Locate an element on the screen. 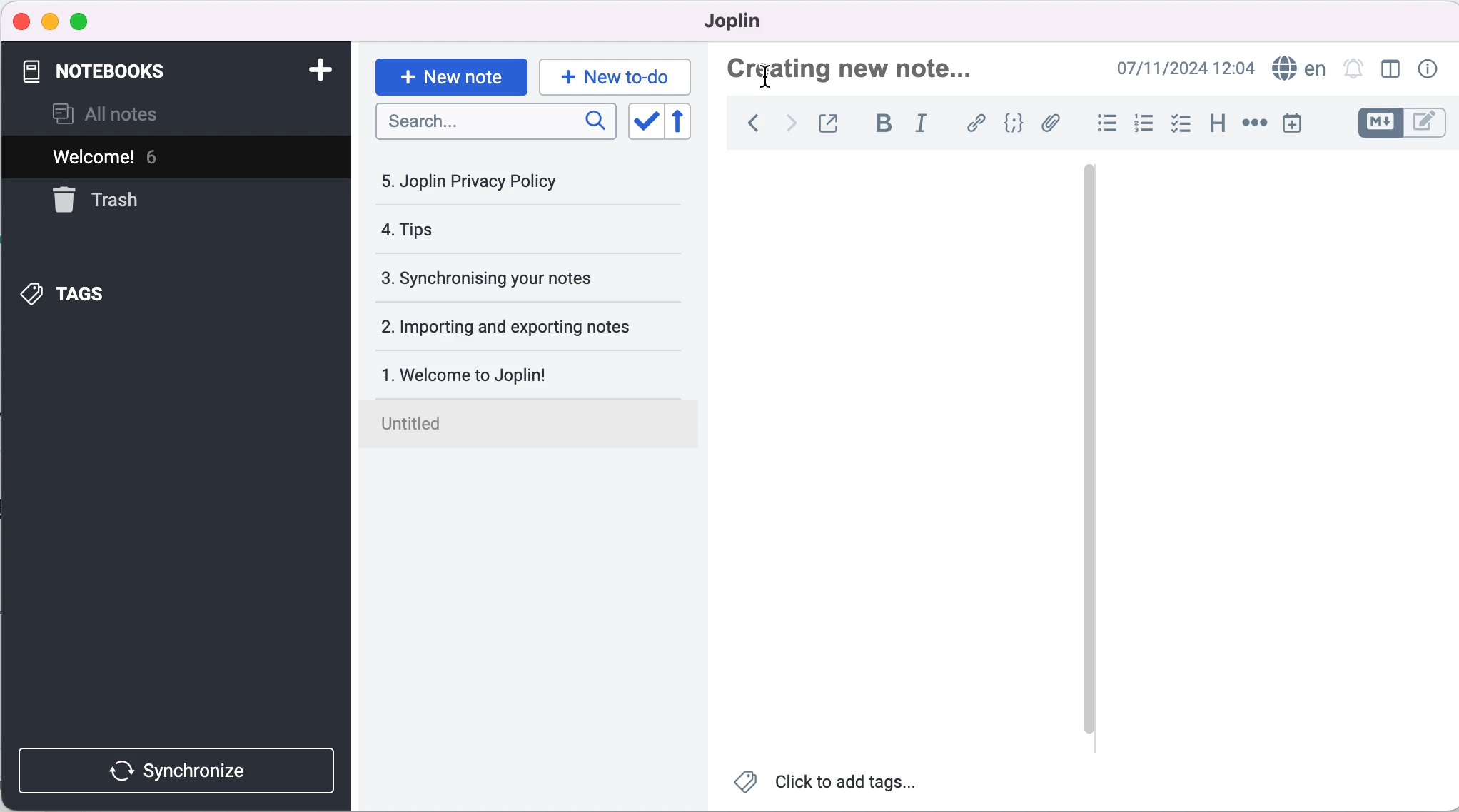 This screenshot has height=812, width=1459. code is located at coordinates (1014, 124).